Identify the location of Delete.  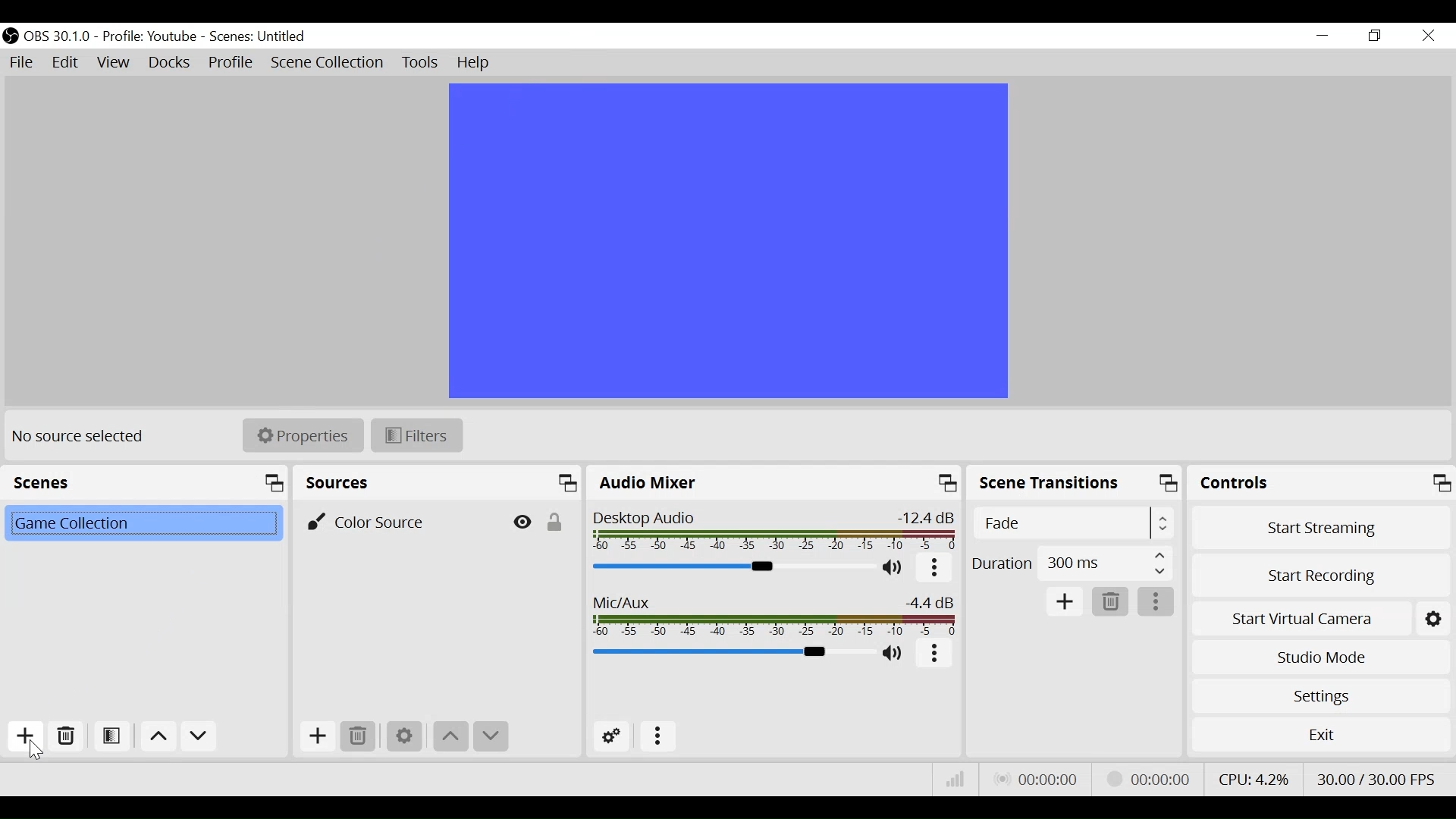
(357, 736).